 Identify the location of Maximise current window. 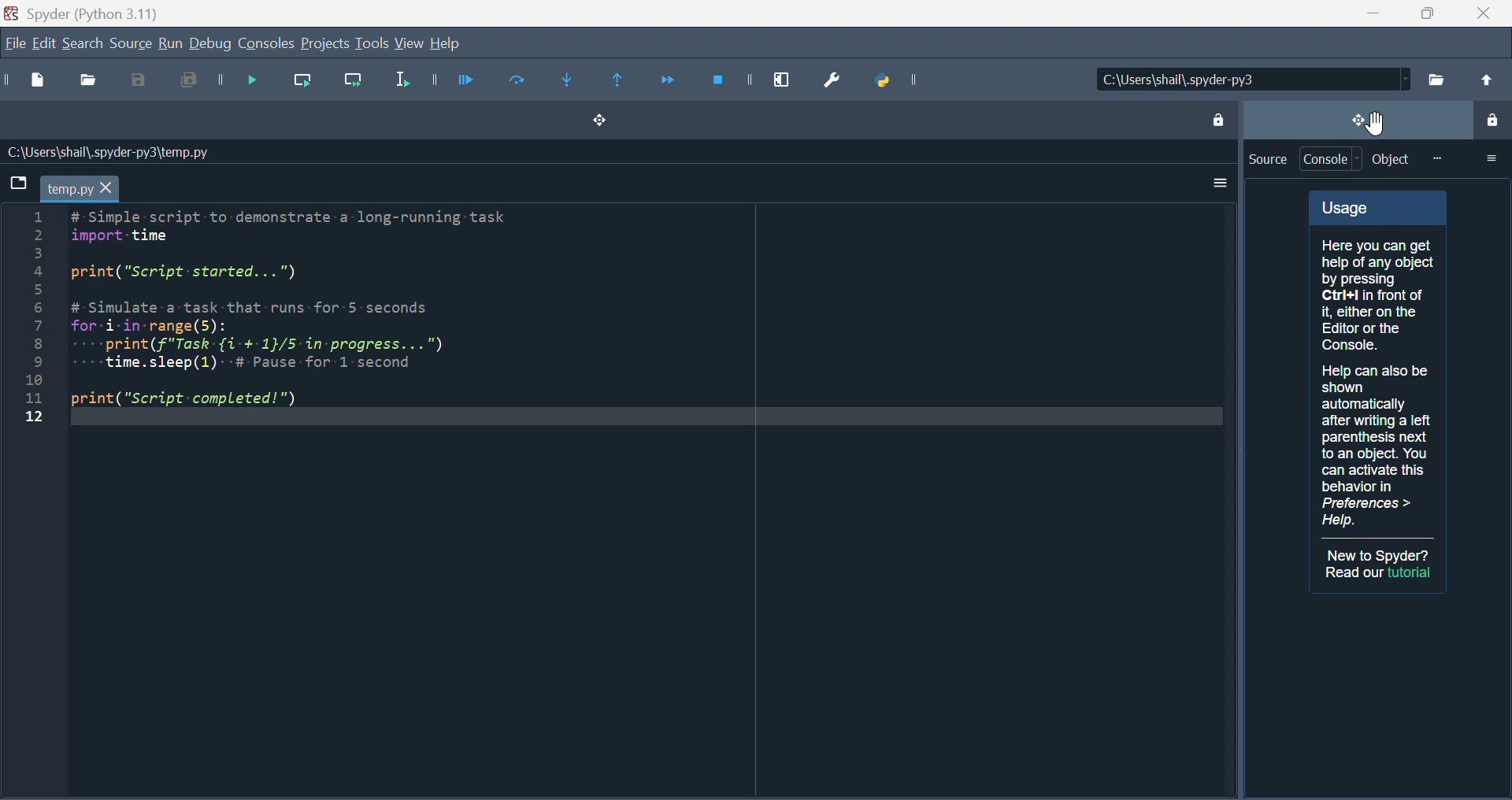
(782, 76).